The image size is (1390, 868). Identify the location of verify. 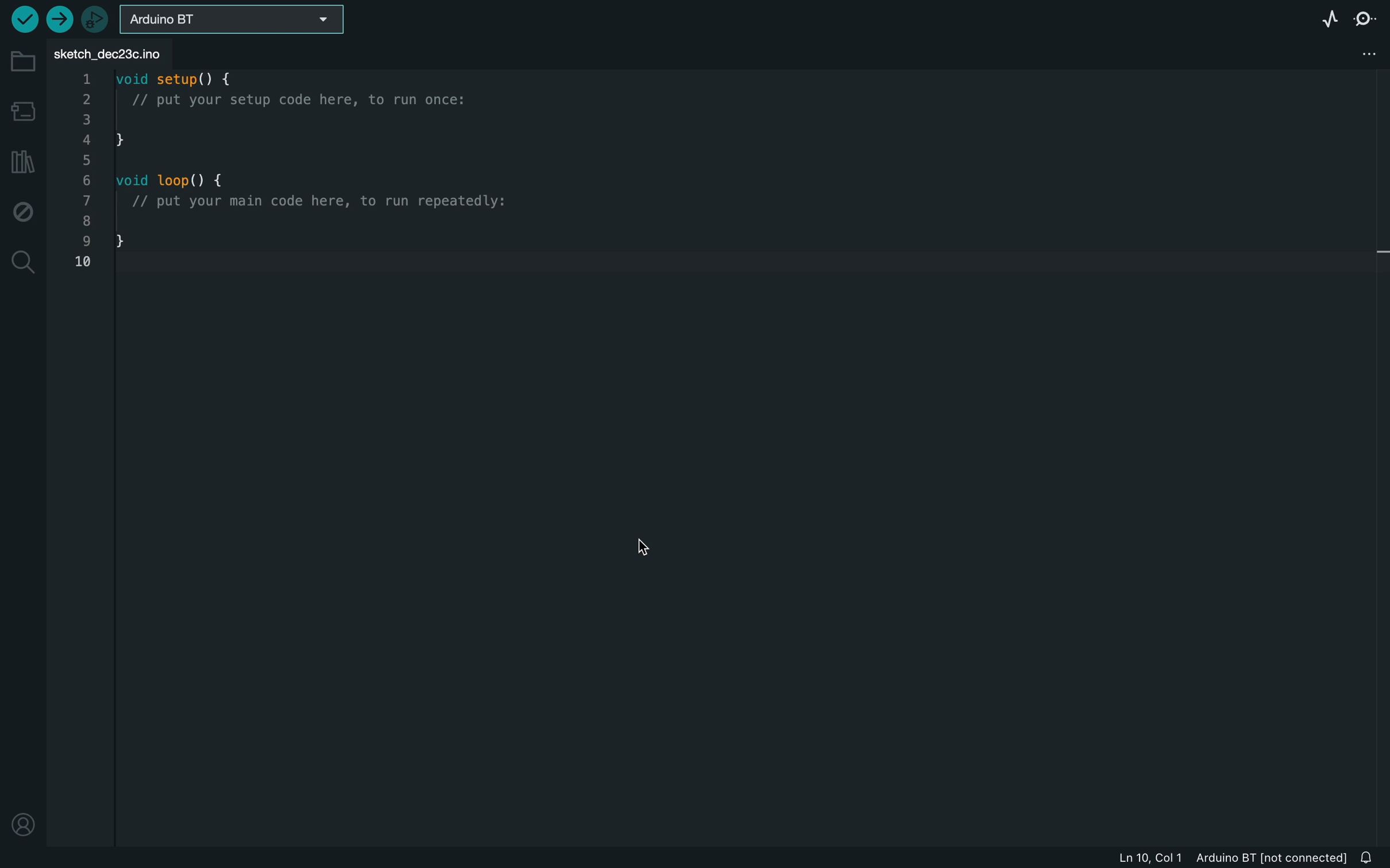
(22, 20).